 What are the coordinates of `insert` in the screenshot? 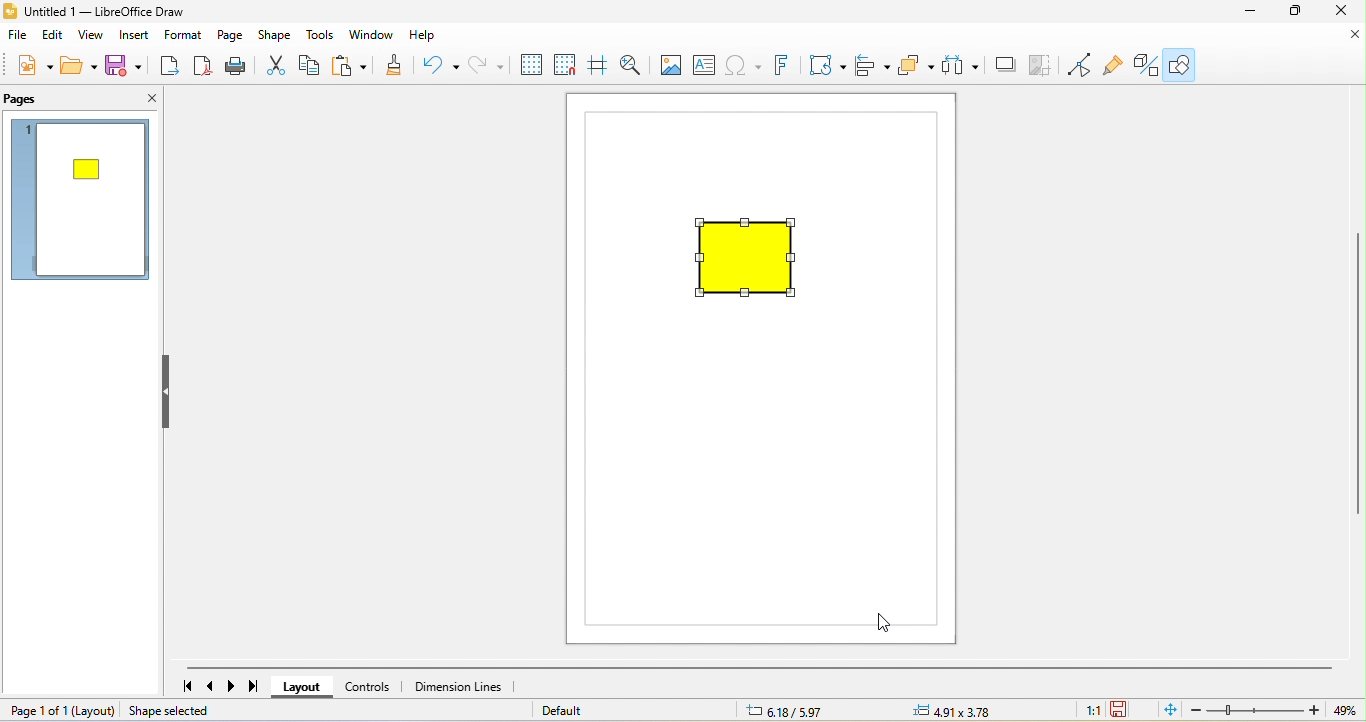 It's located at (134, 38).